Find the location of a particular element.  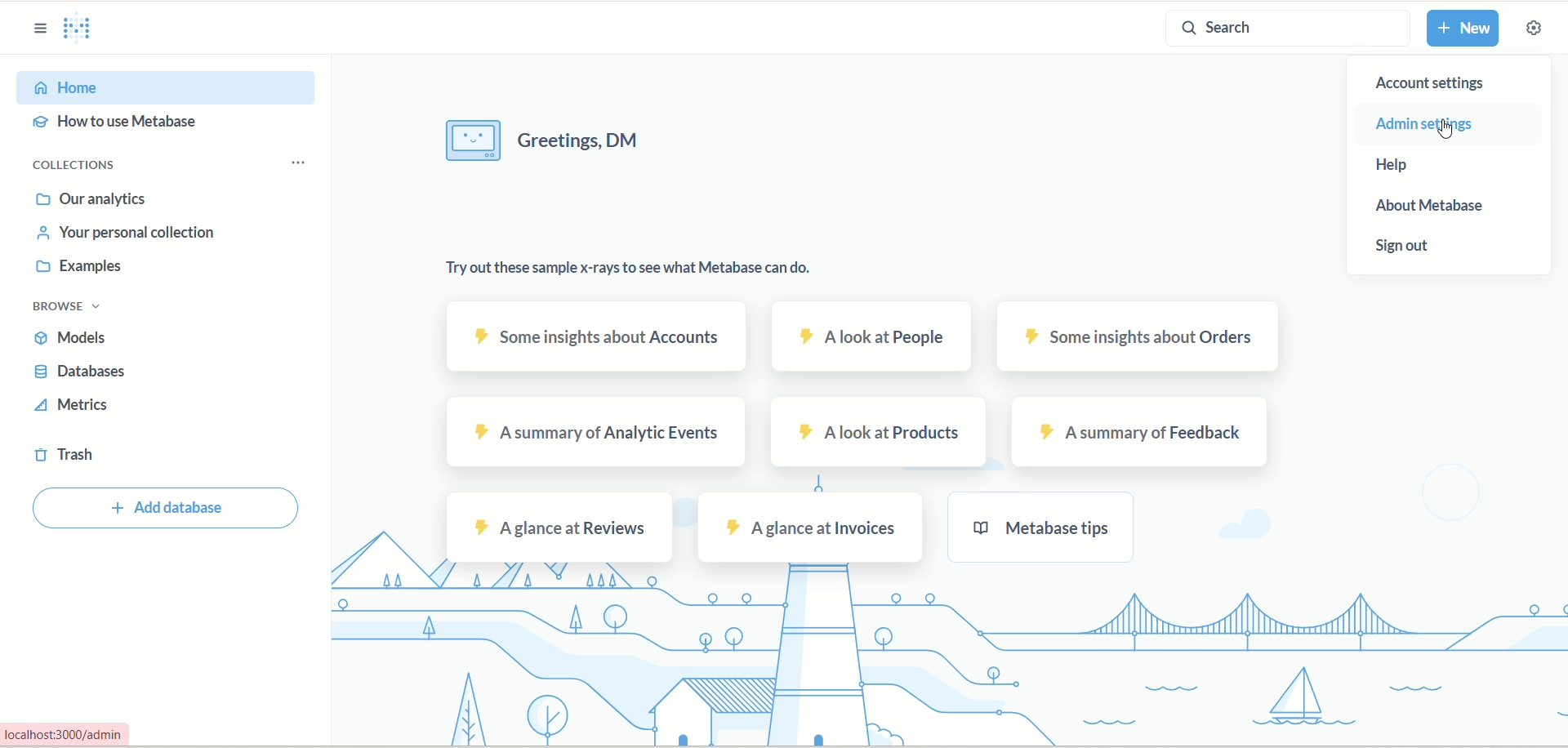

cursor is located at coordinates (1453, 132).